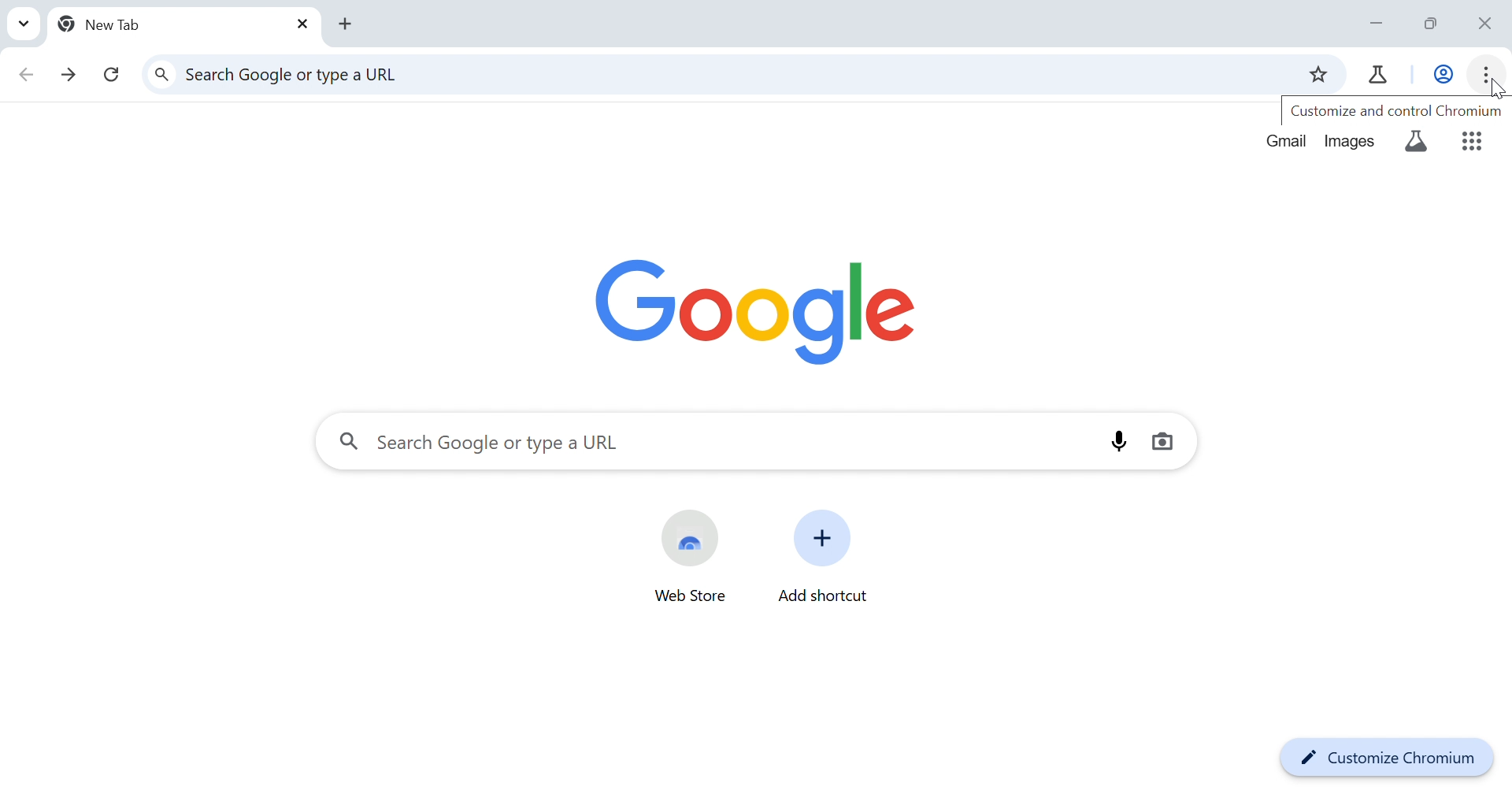  Describe the element at coordinates (1444, 76) in the screenshot. I see `Work` at that location.